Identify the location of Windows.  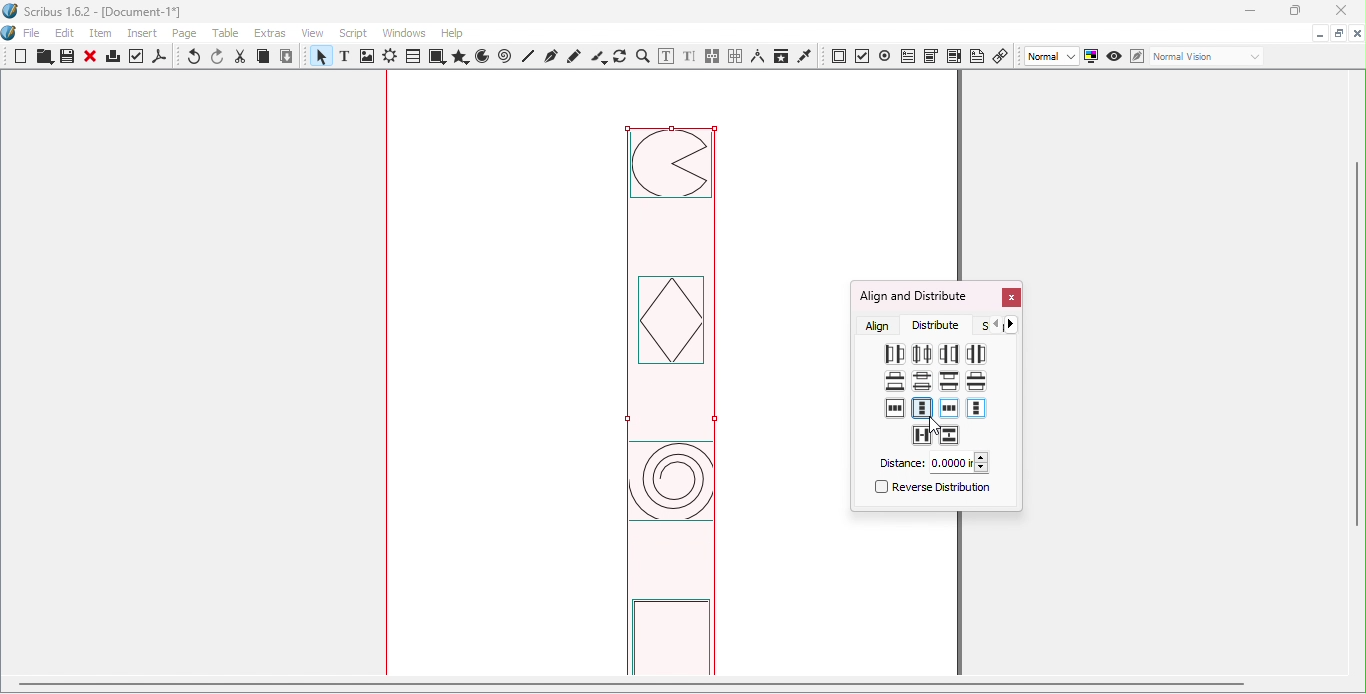
(404, 33).